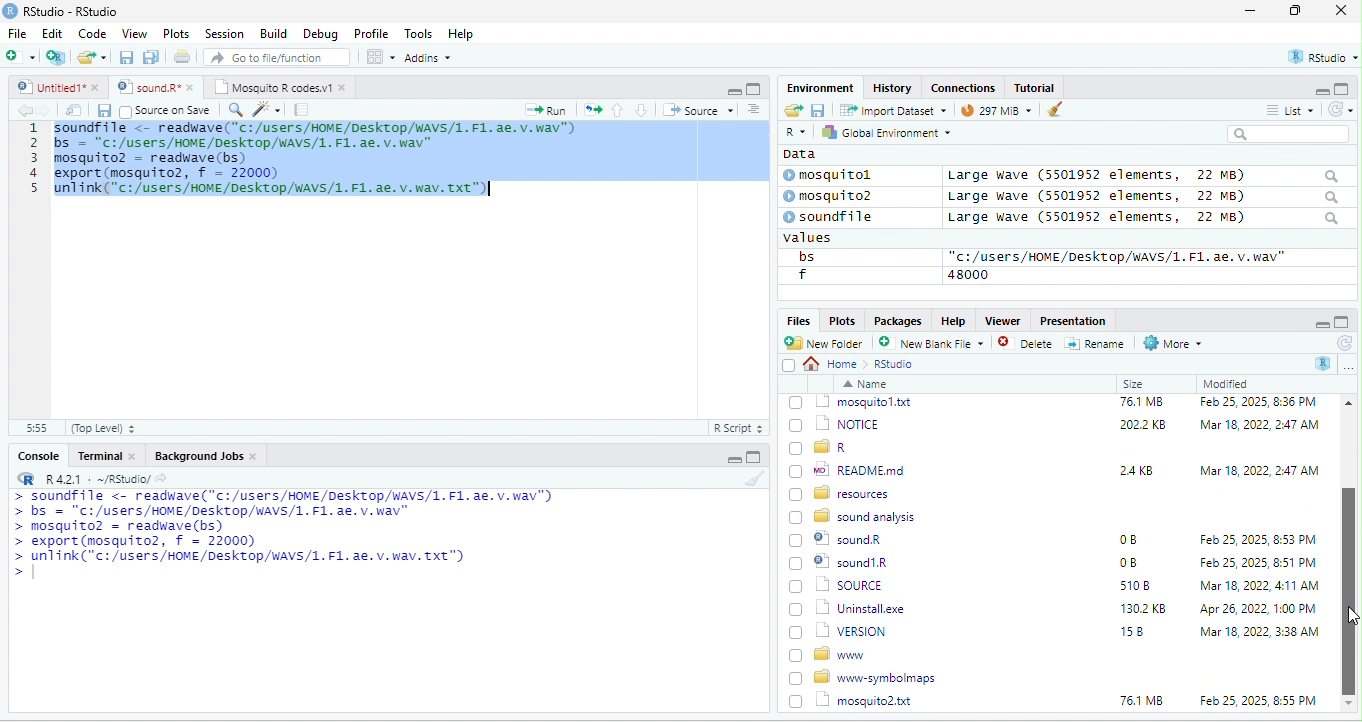  I want to click on sharpen, so click(267, 109).